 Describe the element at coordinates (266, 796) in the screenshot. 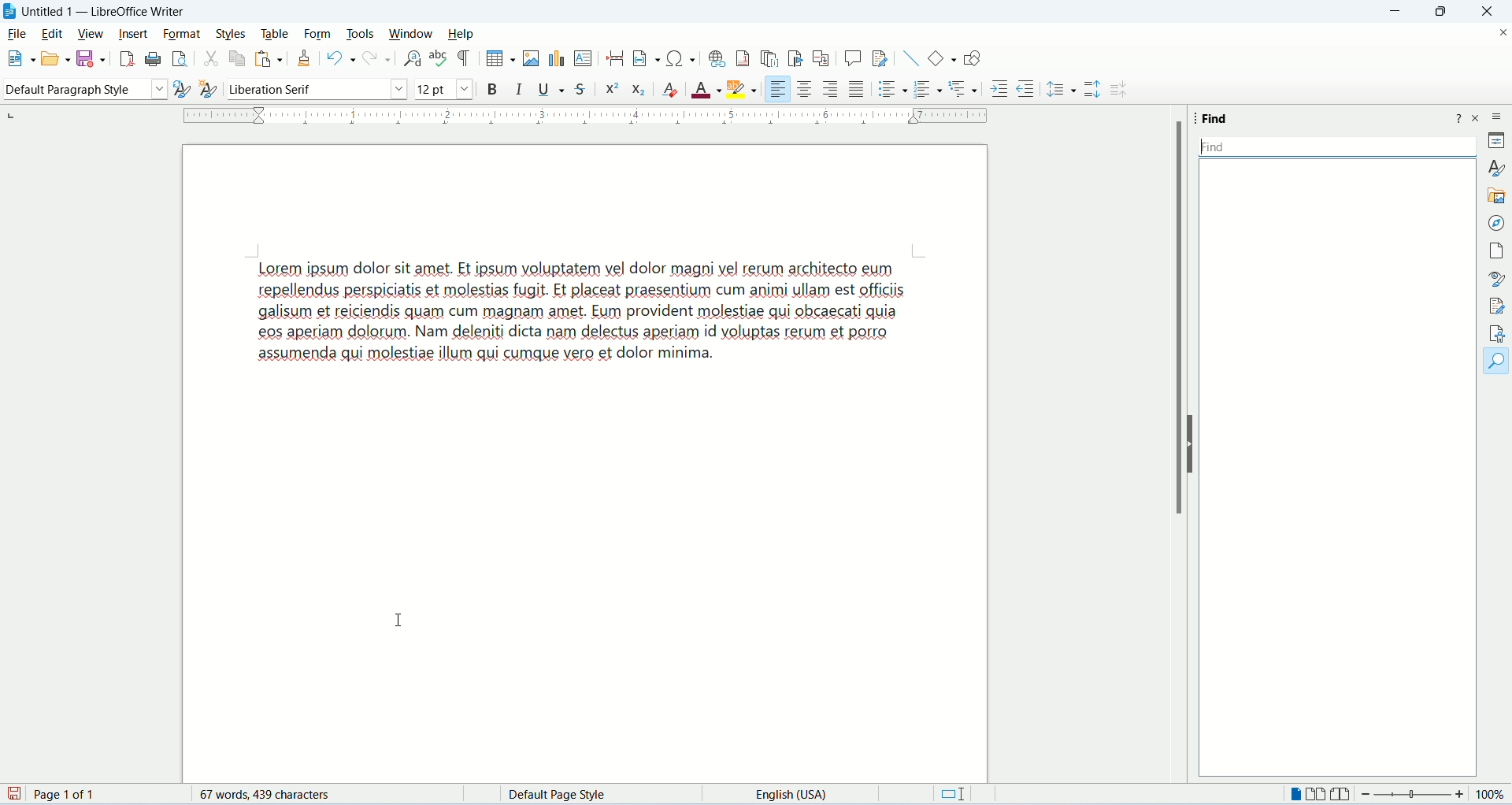

I see `words and characters` at that location.